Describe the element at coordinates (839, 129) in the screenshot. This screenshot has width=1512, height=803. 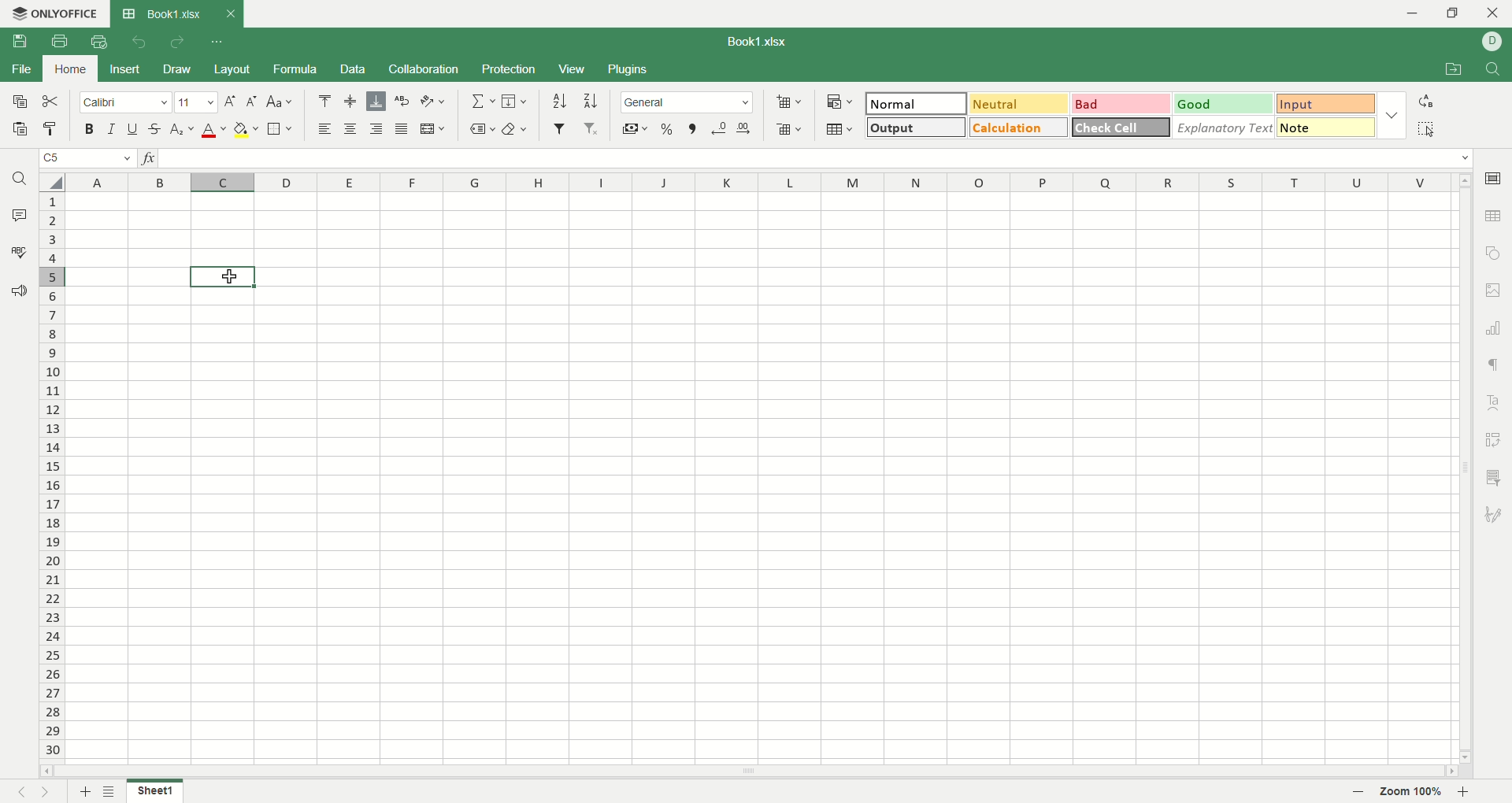
I see `format as table template` at that location.